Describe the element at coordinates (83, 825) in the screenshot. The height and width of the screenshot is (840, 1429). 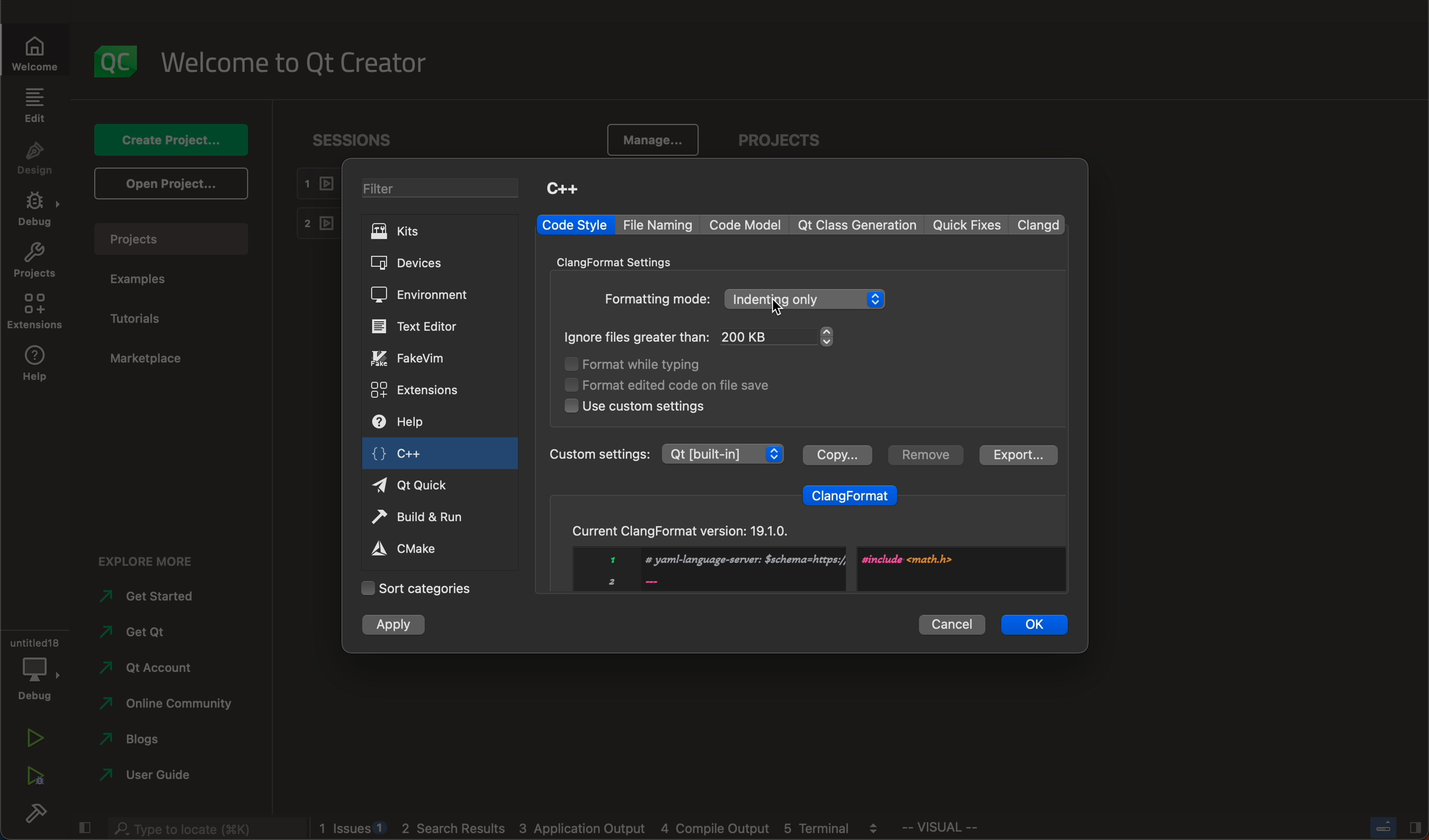
I see `close slide bar` at that location.